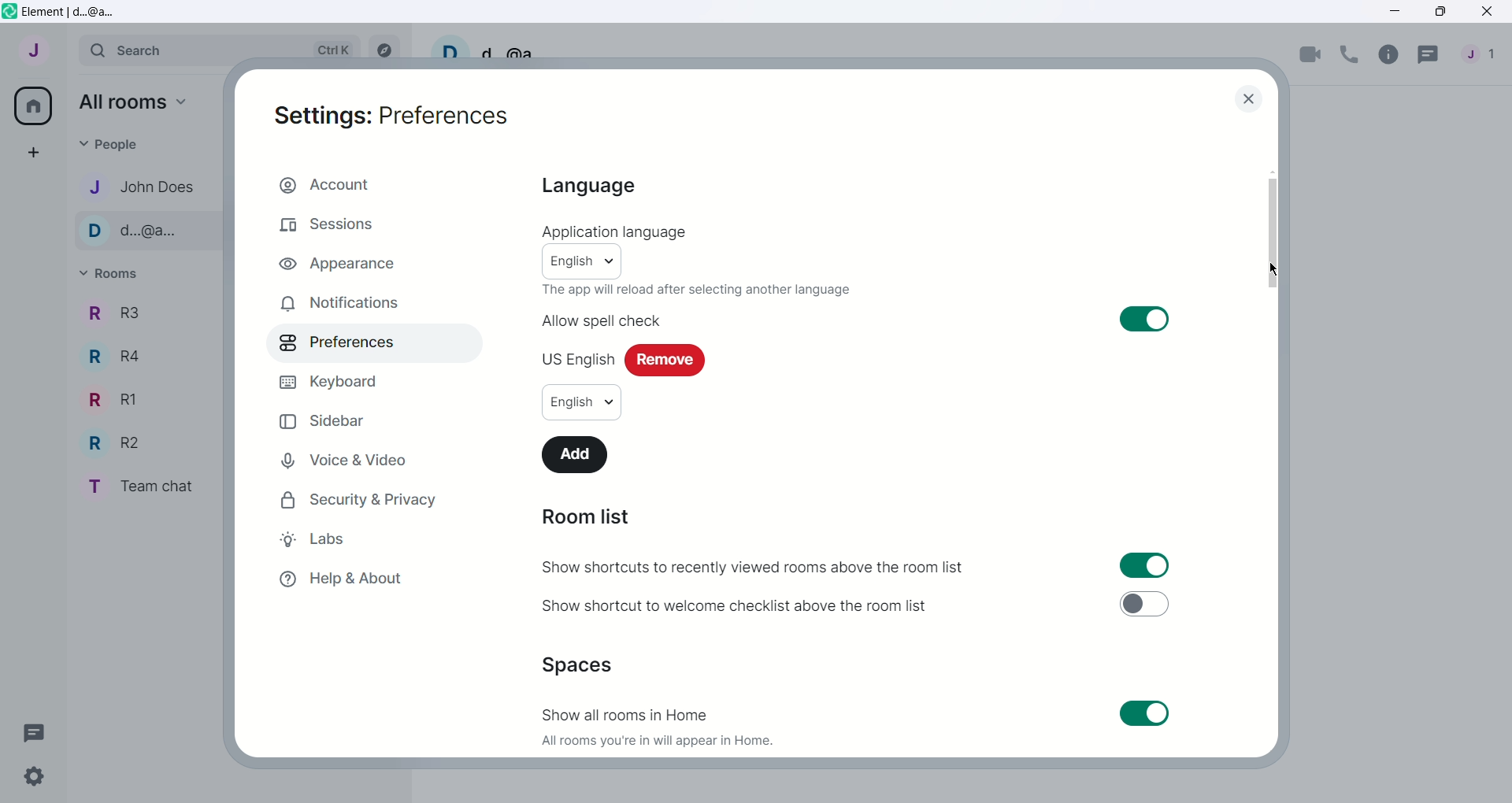 The width and height of the screenshot is (1512, 803). I want to click on Voice call, so click(1350, 55).